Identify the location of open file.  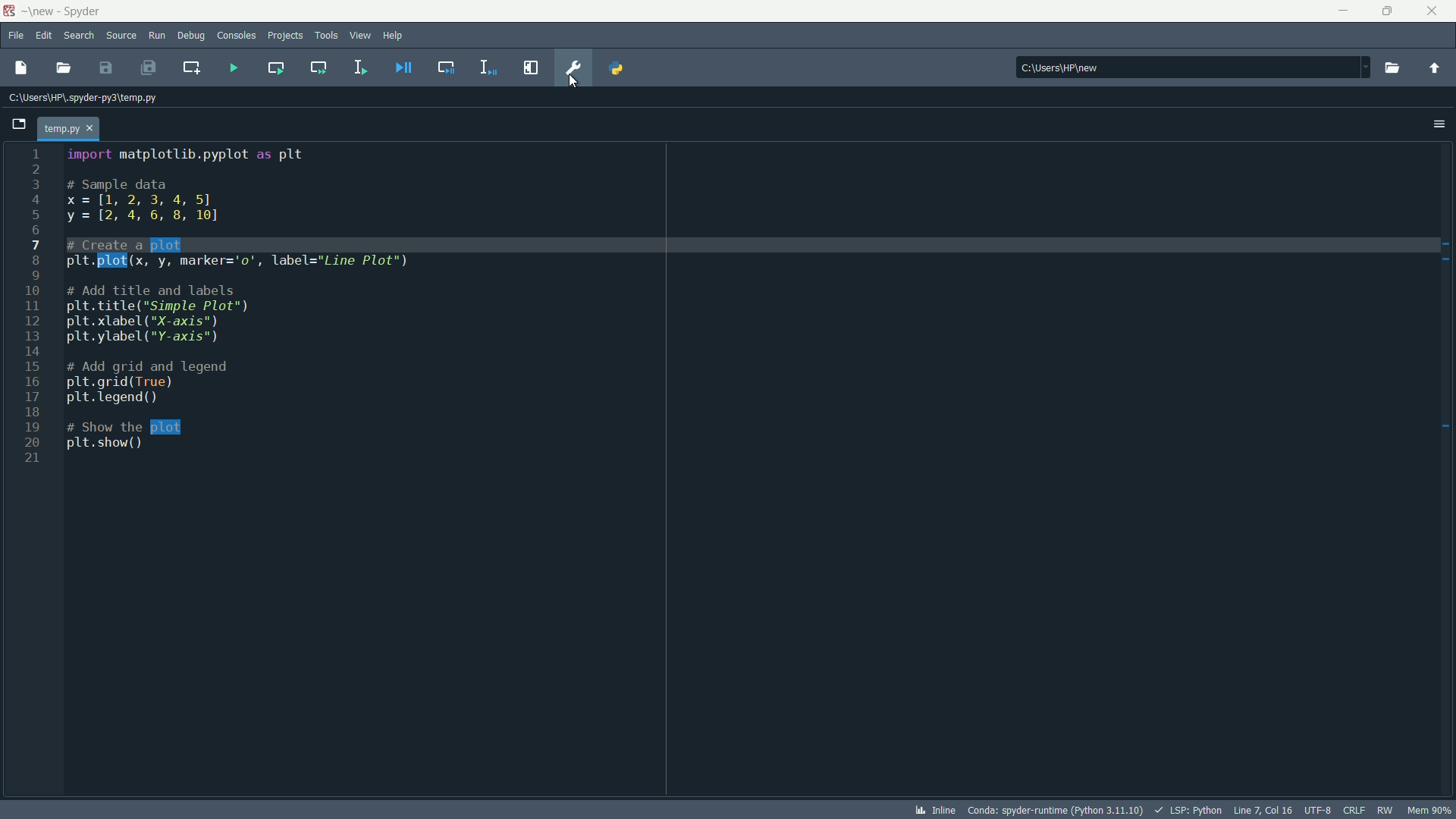
(62, 67).